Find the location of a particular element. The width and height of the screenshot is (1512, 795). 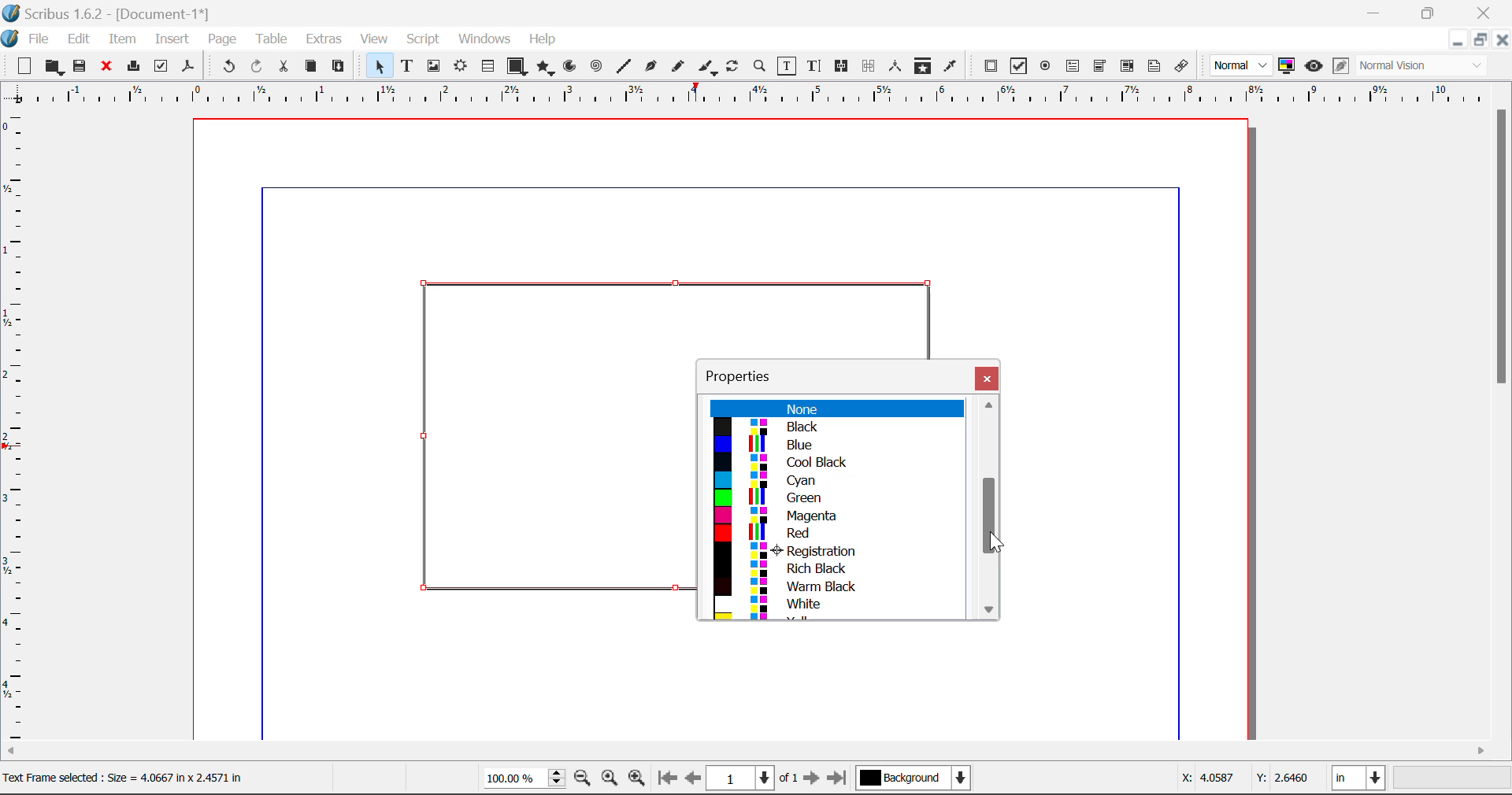

Zoom Out is located at coordinates (584, 780).